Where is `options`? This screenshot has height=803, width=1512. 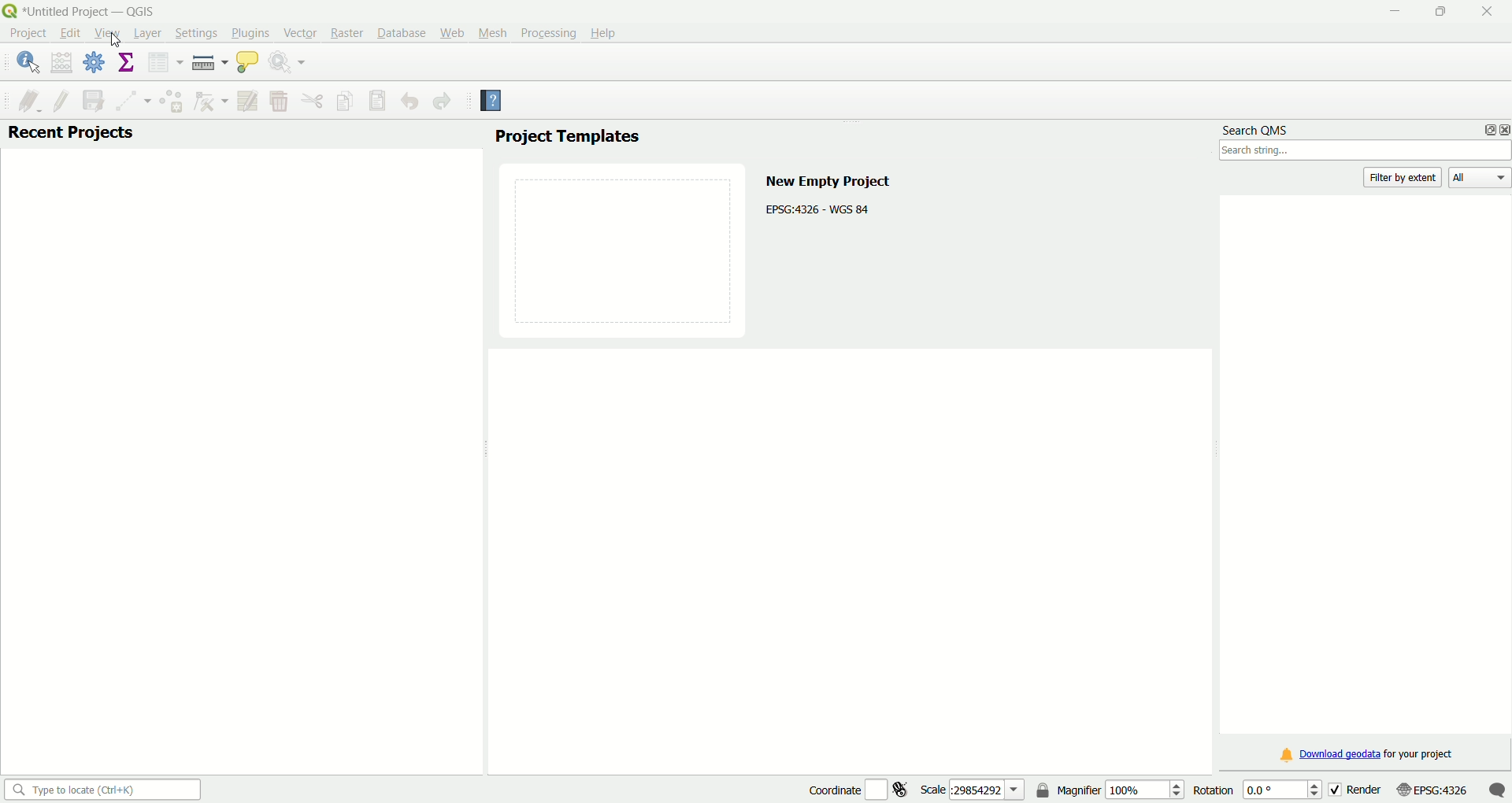 options is located at coordinates (1485, 129).